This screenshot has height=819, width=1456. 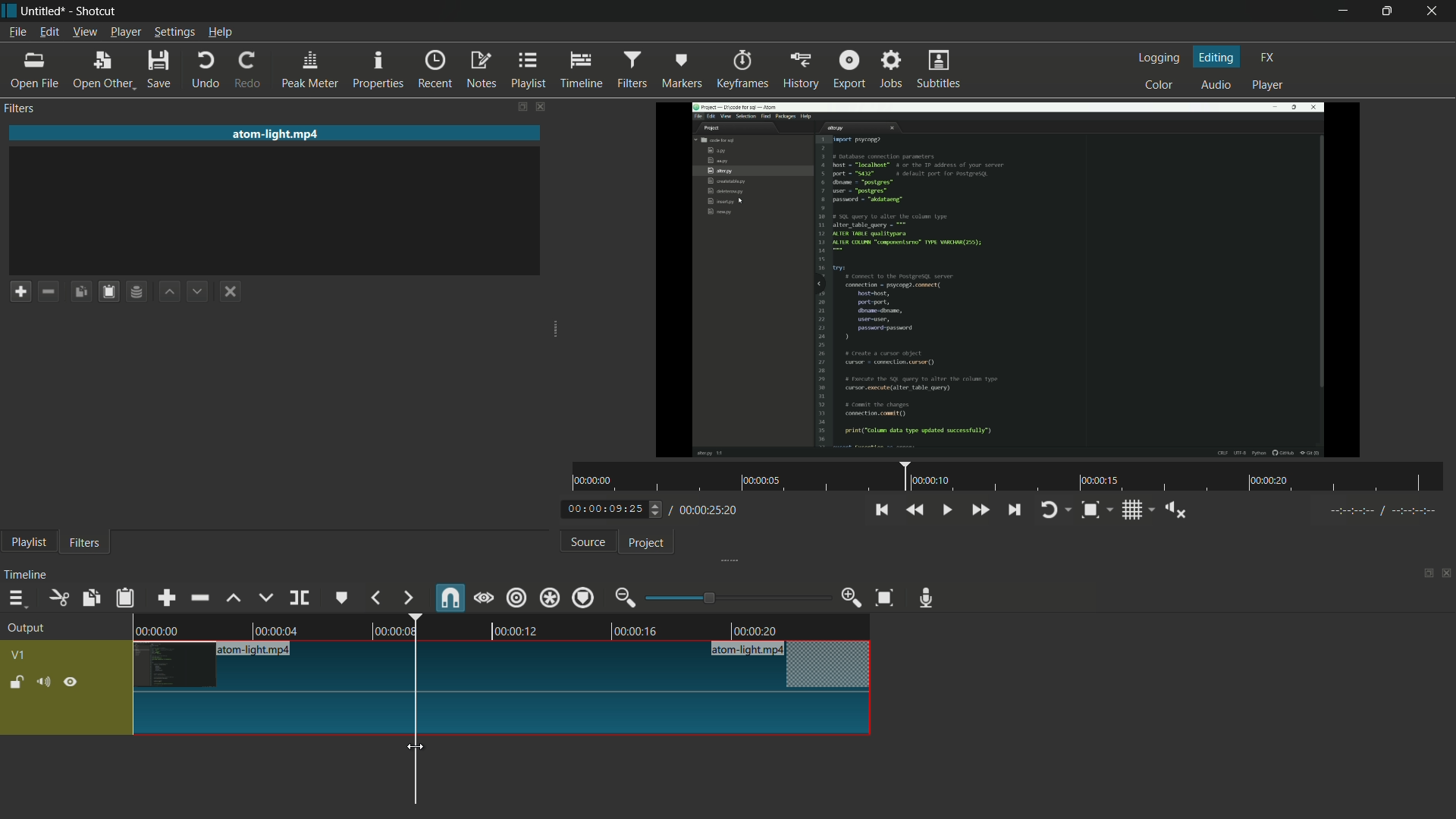 What do you see at coordinates (251, 71) in the screenshot?
I see `redo` at bounding box center [251, 71].